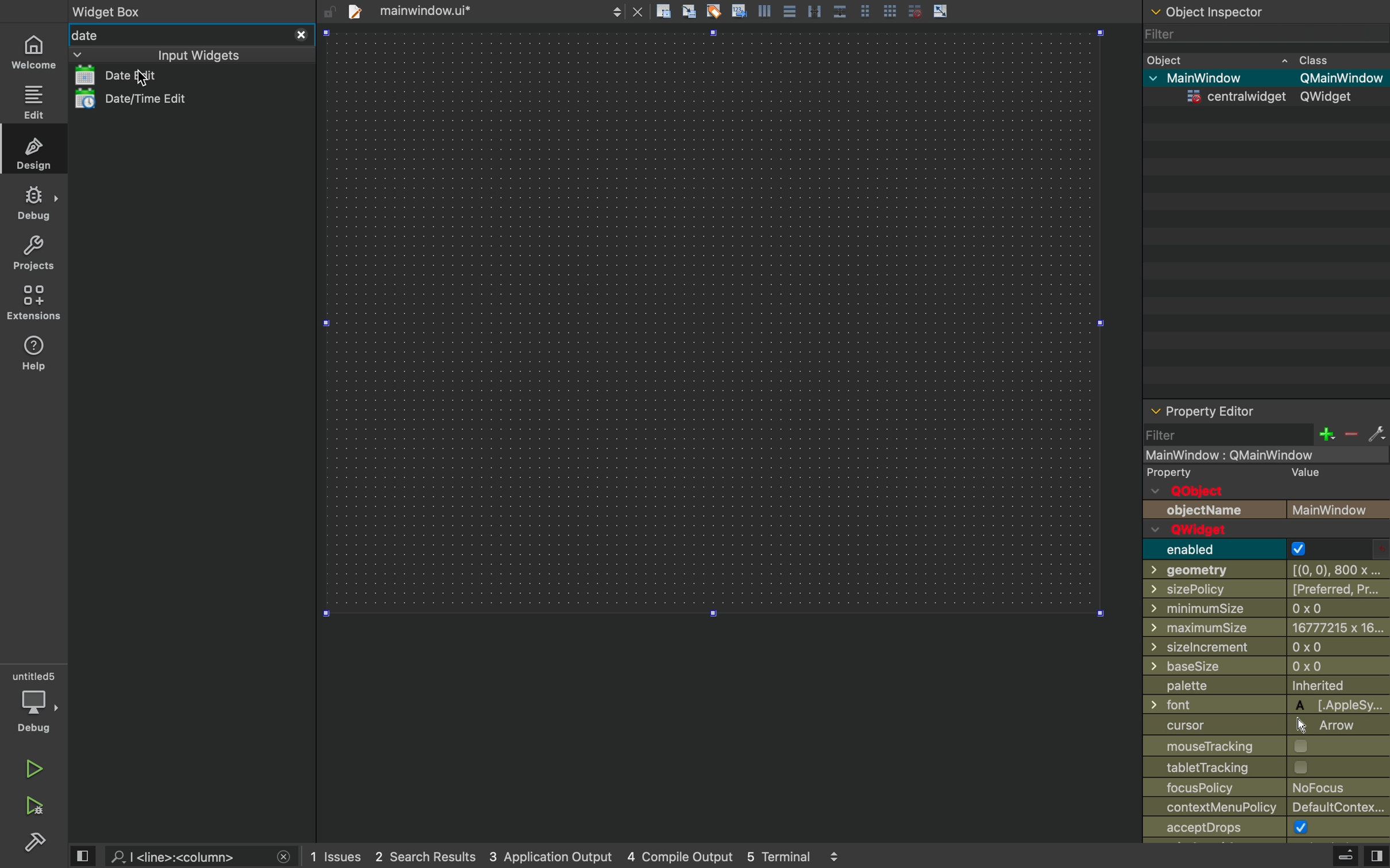  What do you see at coordinates (1259, 747) in the screenshot?
I see `mousetrtacking` at bounding box center [1259, 747].